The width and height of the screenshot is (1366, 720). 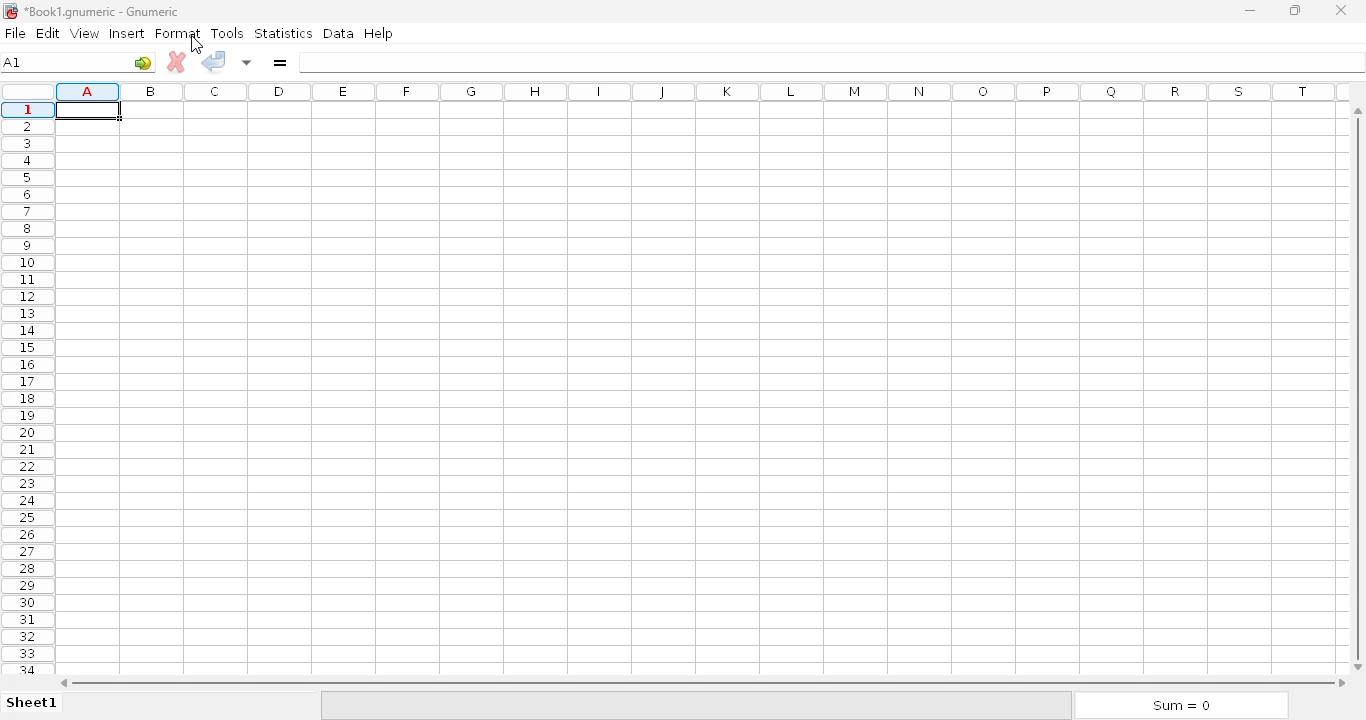 What do you see at coordinates (49, 33) in the screenshot?
I see `edit` at bounding box center [49, 33].